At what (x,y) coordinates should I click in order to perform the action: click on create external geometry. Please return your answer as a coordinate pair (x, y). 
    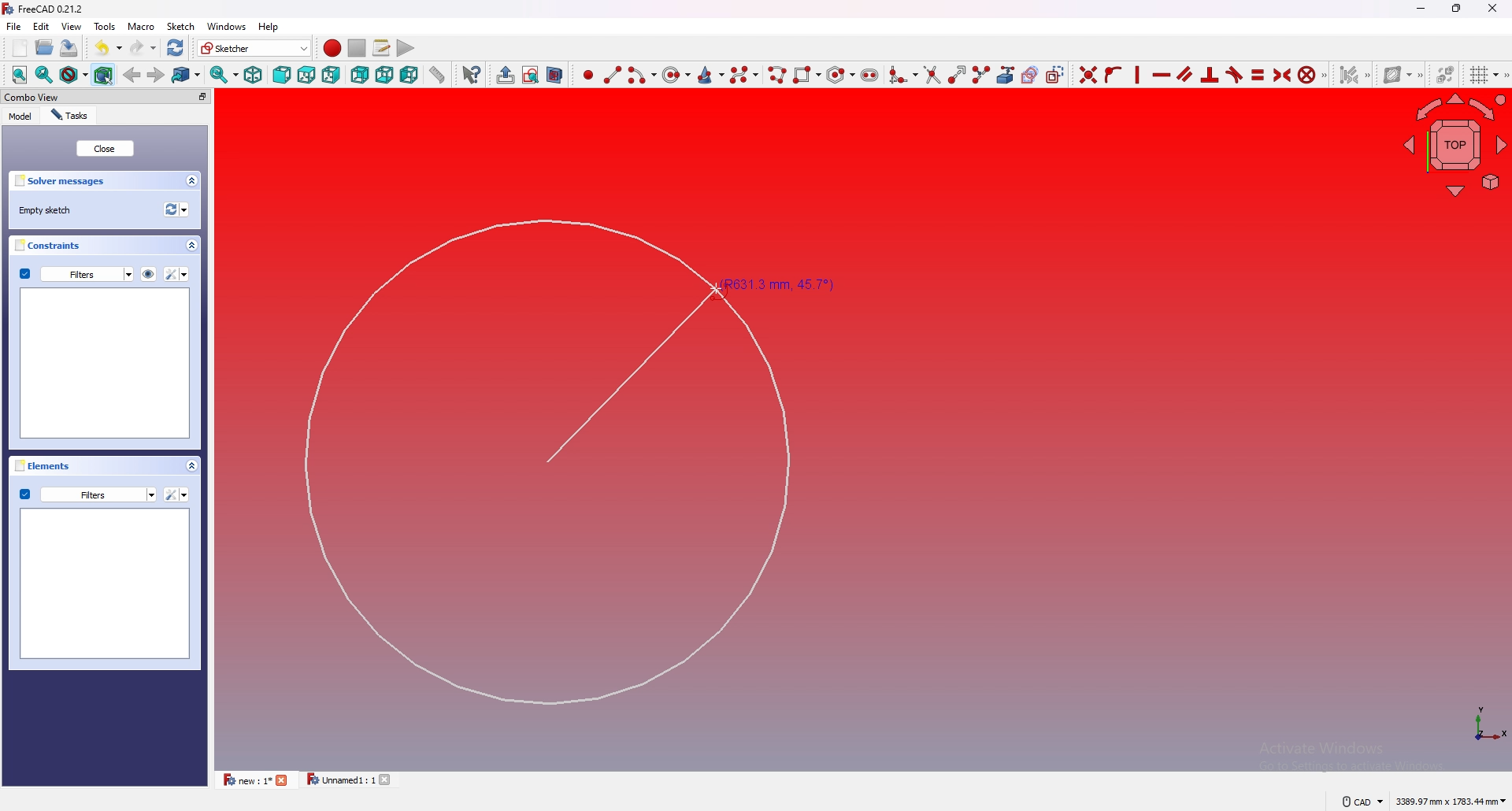
    Looking at the image, I should click on (1006, 75).